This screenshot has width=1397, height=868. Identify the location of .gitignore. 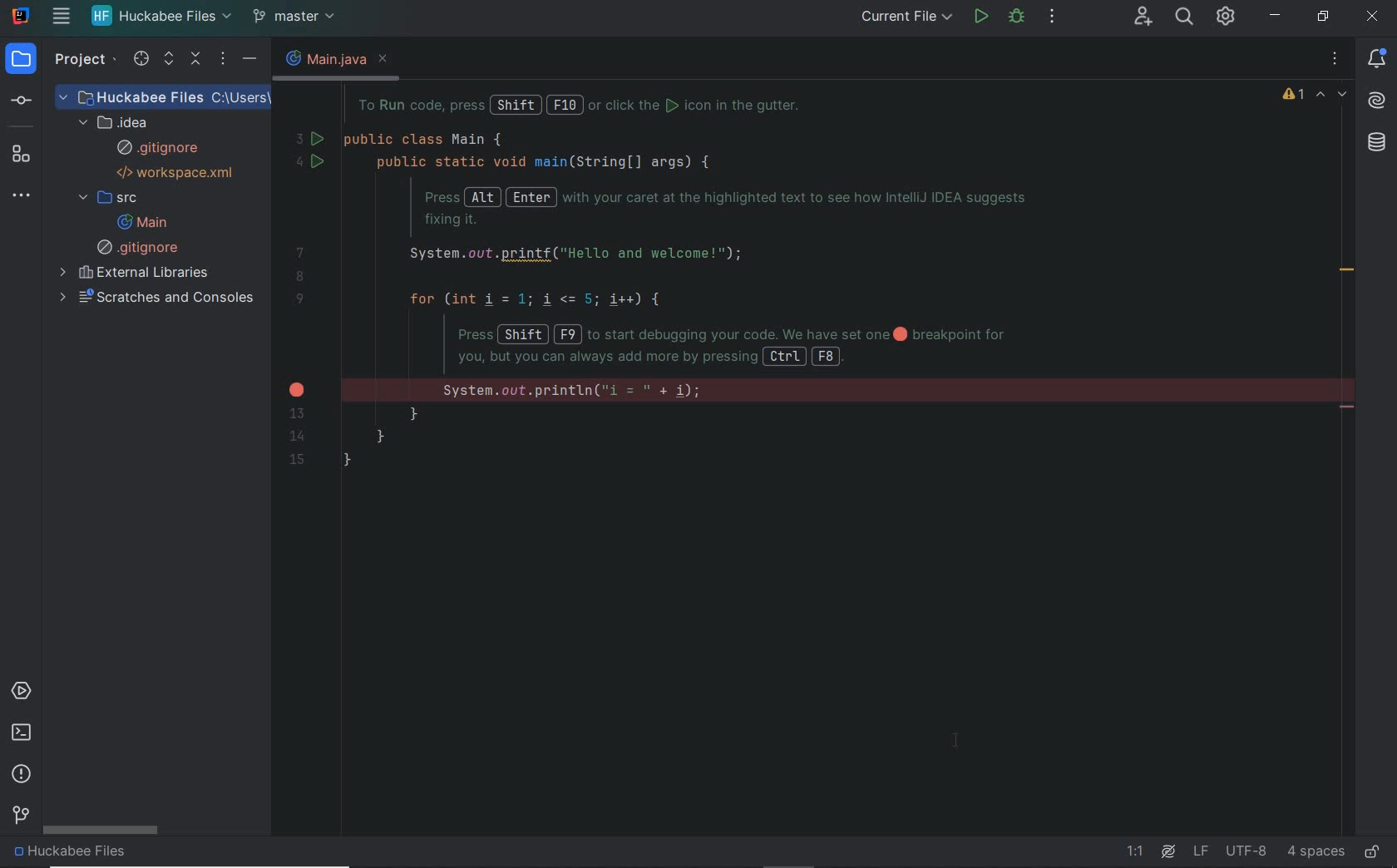
(141, 248).